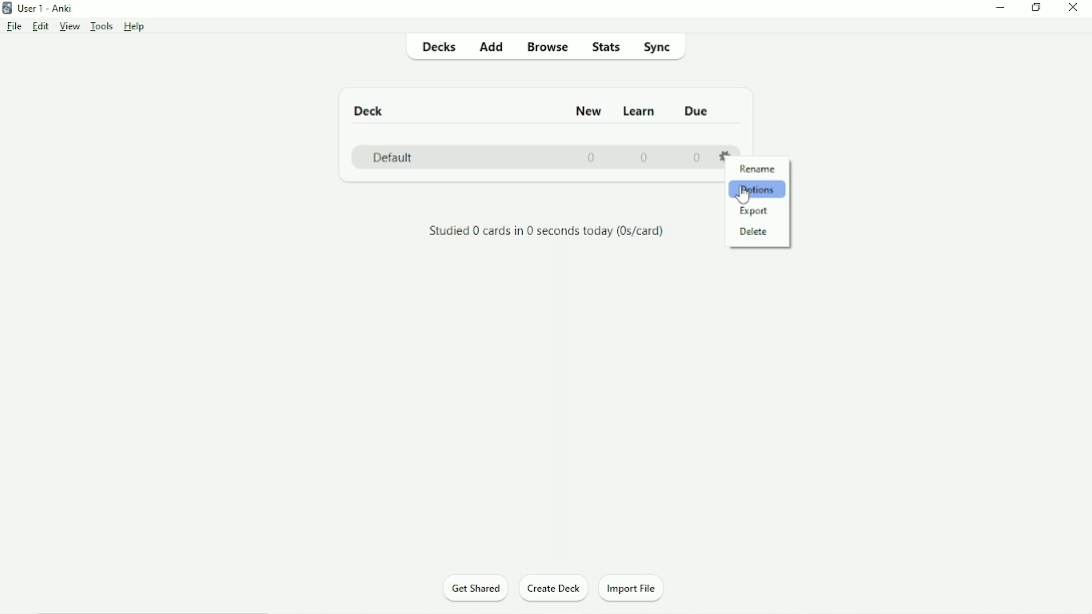 The height and width of the screenshot is (614, 1092). What do you see at coordinates (555, 591) in the screenshot?
I see `Create Deck` at bounding box center [555, 591].